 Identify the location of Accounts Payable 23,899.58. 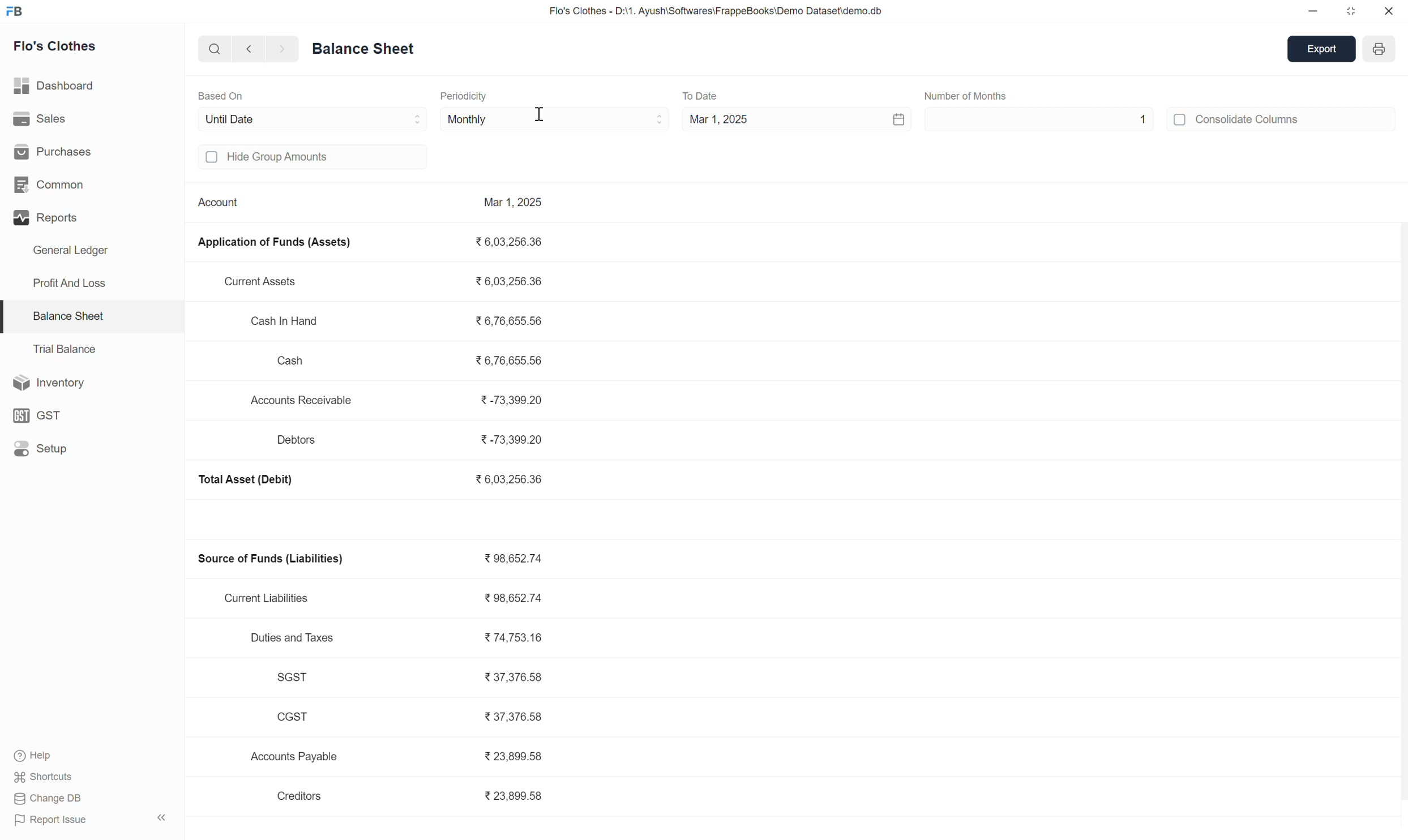
(401, 756).